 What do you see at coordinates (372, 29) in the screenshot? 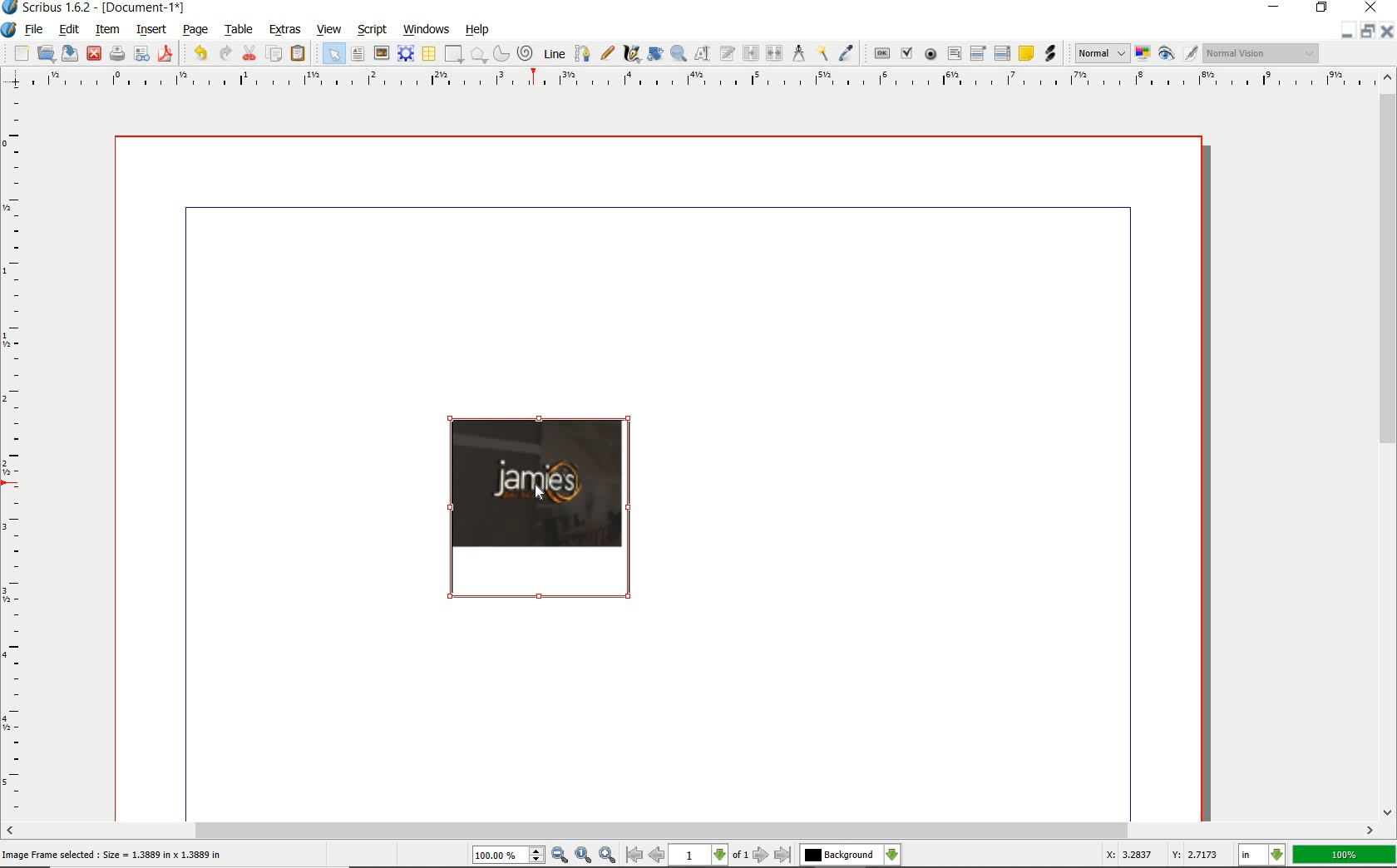
I see `script` at bounding box center [372, 29].